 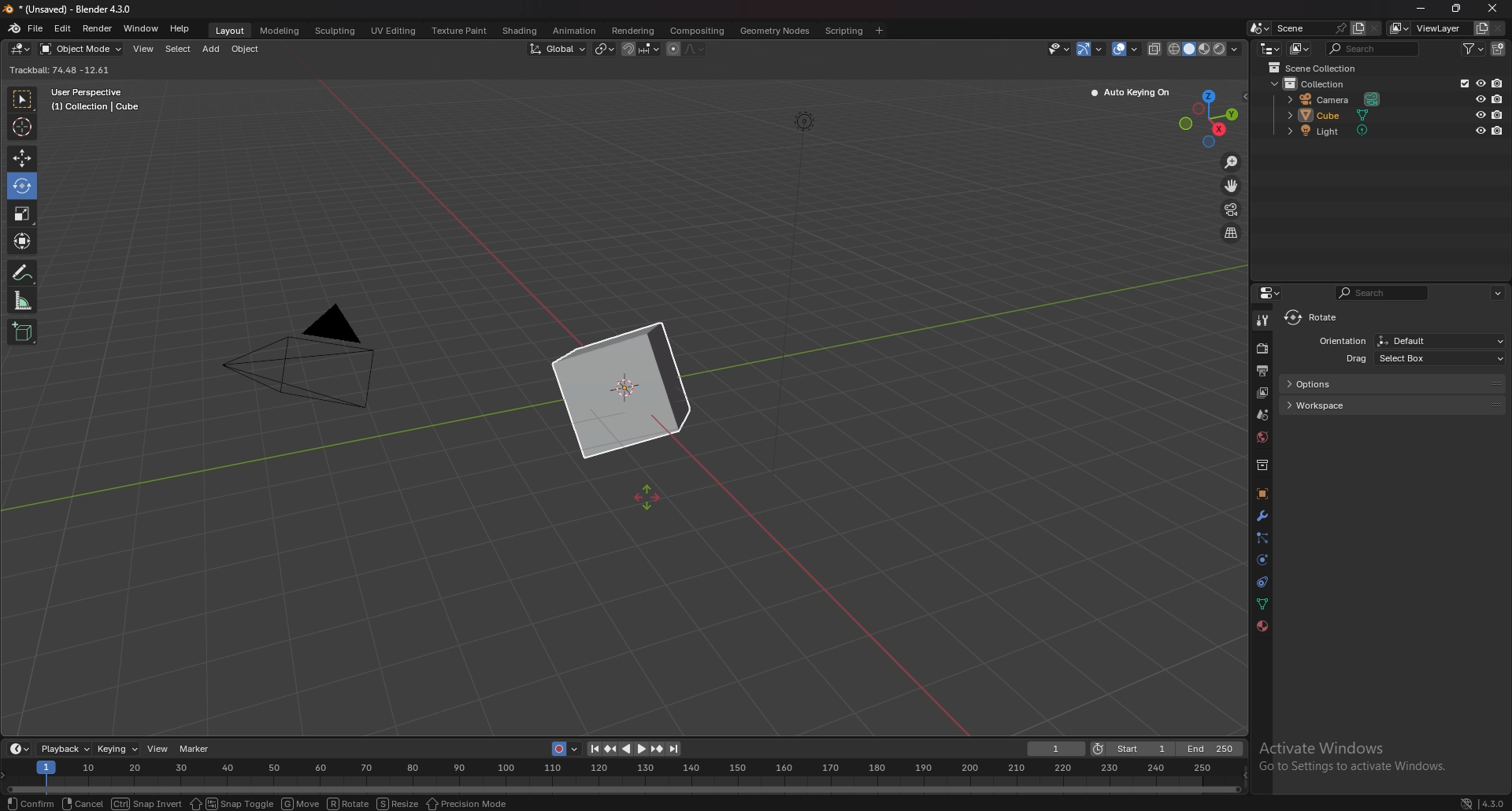 I want to click on view layer, so click(x=1262, y=393).